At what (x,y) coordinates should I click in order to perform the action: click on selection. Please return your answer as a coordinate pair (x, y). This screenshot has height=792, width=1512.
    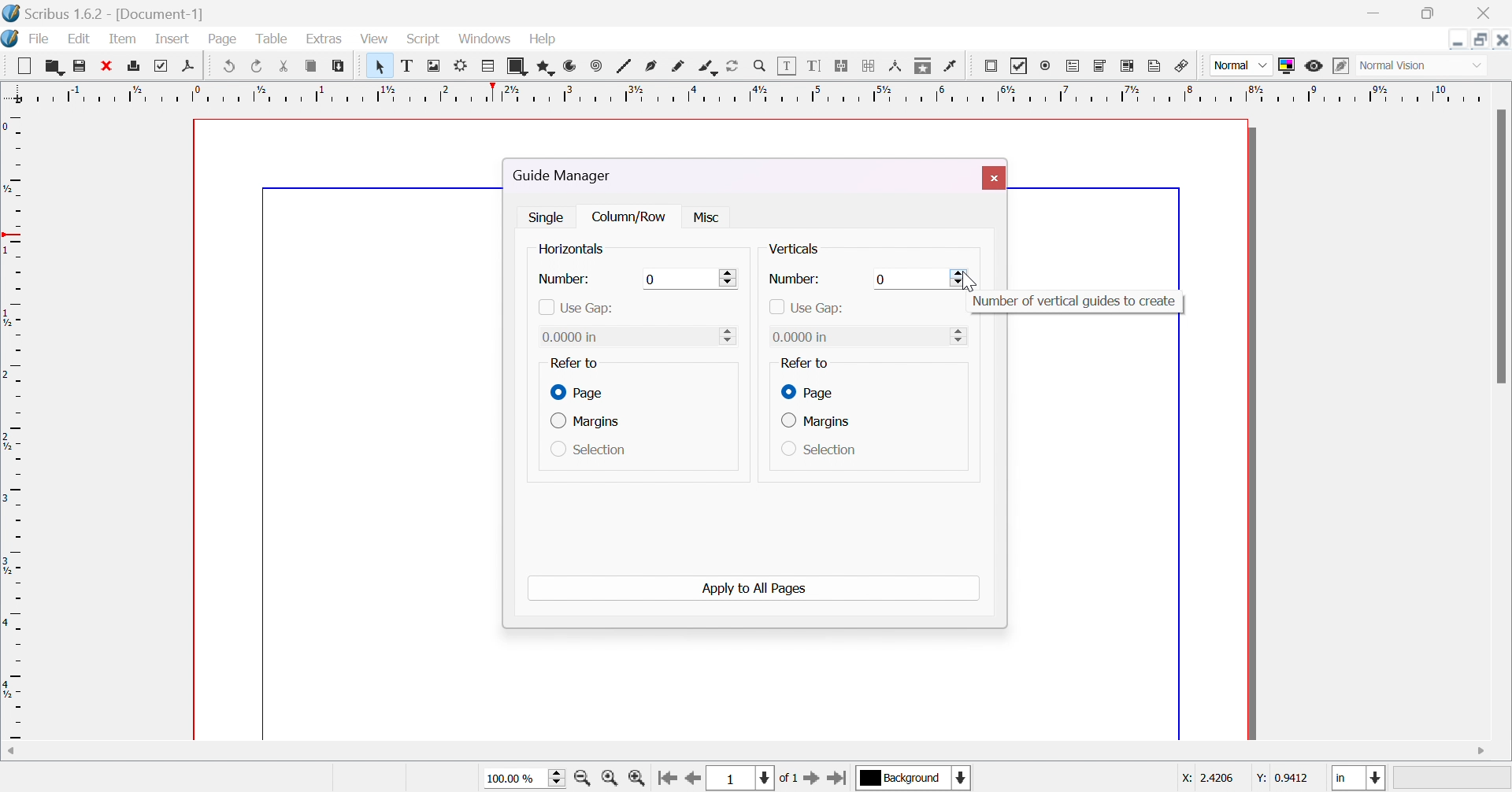
    Looking at the image, I should click on (820, 450).